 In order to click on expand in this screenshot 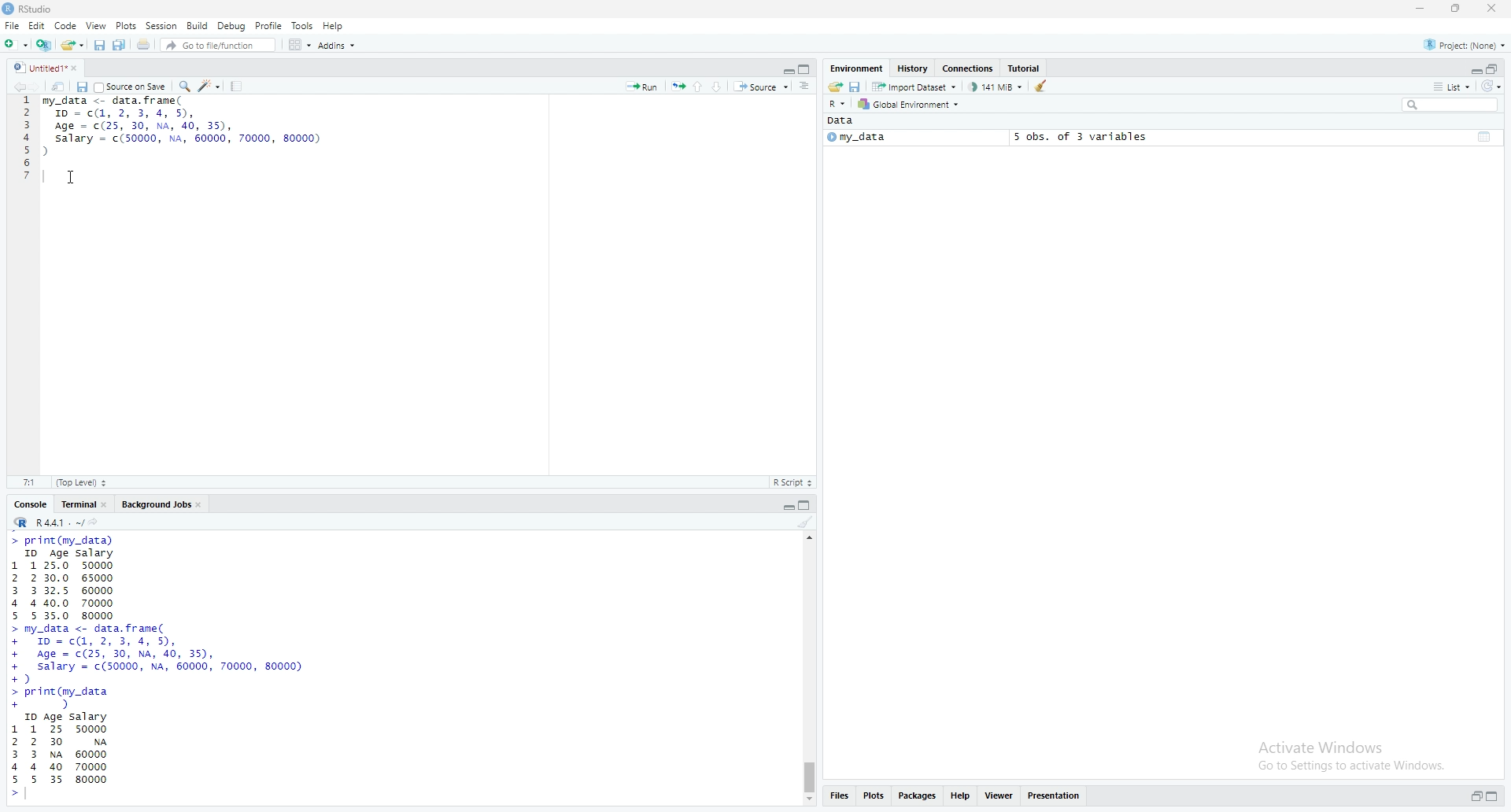, I will do `click(1475, 797)`.